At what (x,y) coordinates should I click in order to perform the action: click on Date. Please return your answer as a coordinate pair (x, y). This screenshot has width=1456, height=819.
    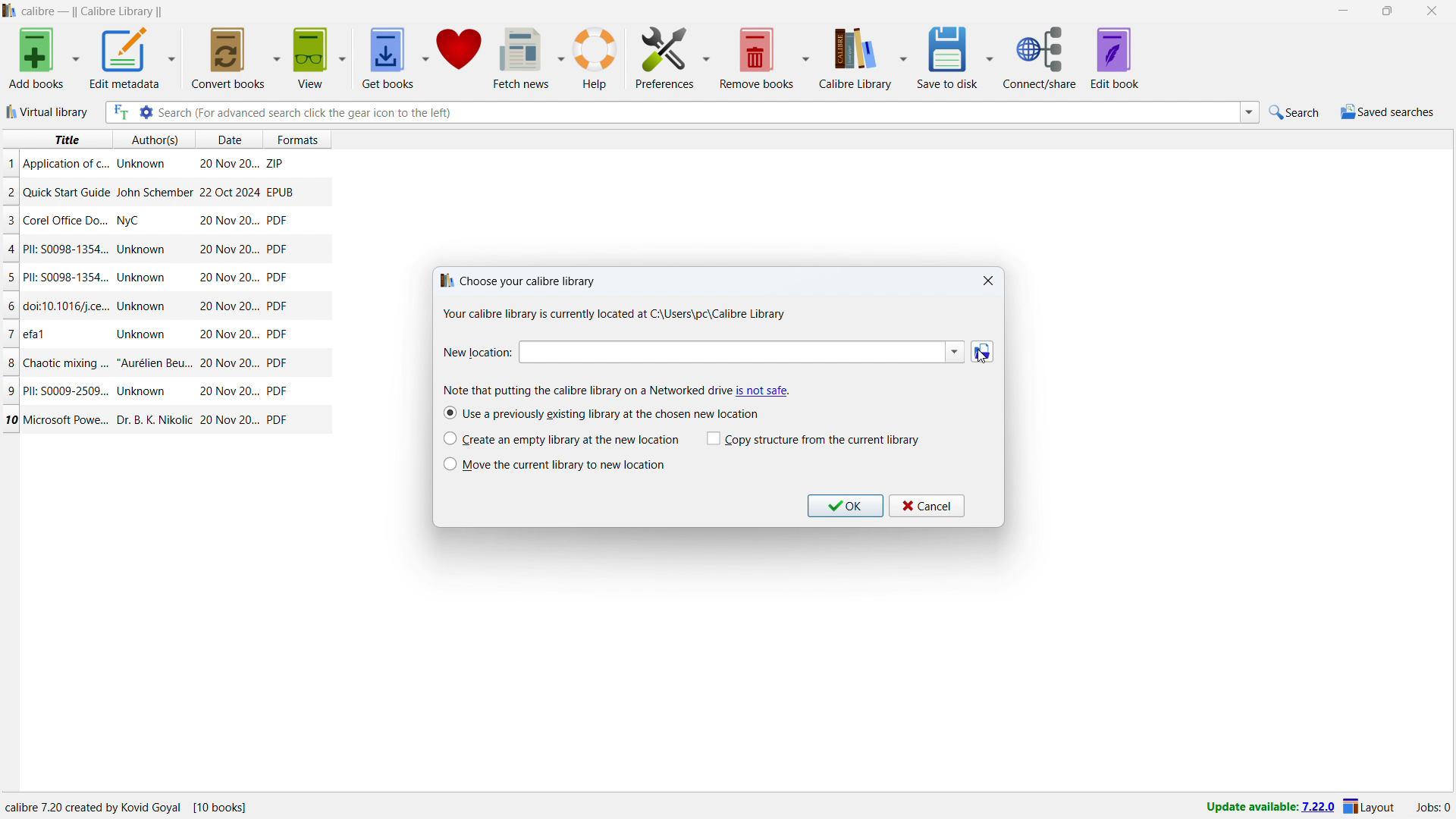
    Looking at the image, I should click on (227, 391).